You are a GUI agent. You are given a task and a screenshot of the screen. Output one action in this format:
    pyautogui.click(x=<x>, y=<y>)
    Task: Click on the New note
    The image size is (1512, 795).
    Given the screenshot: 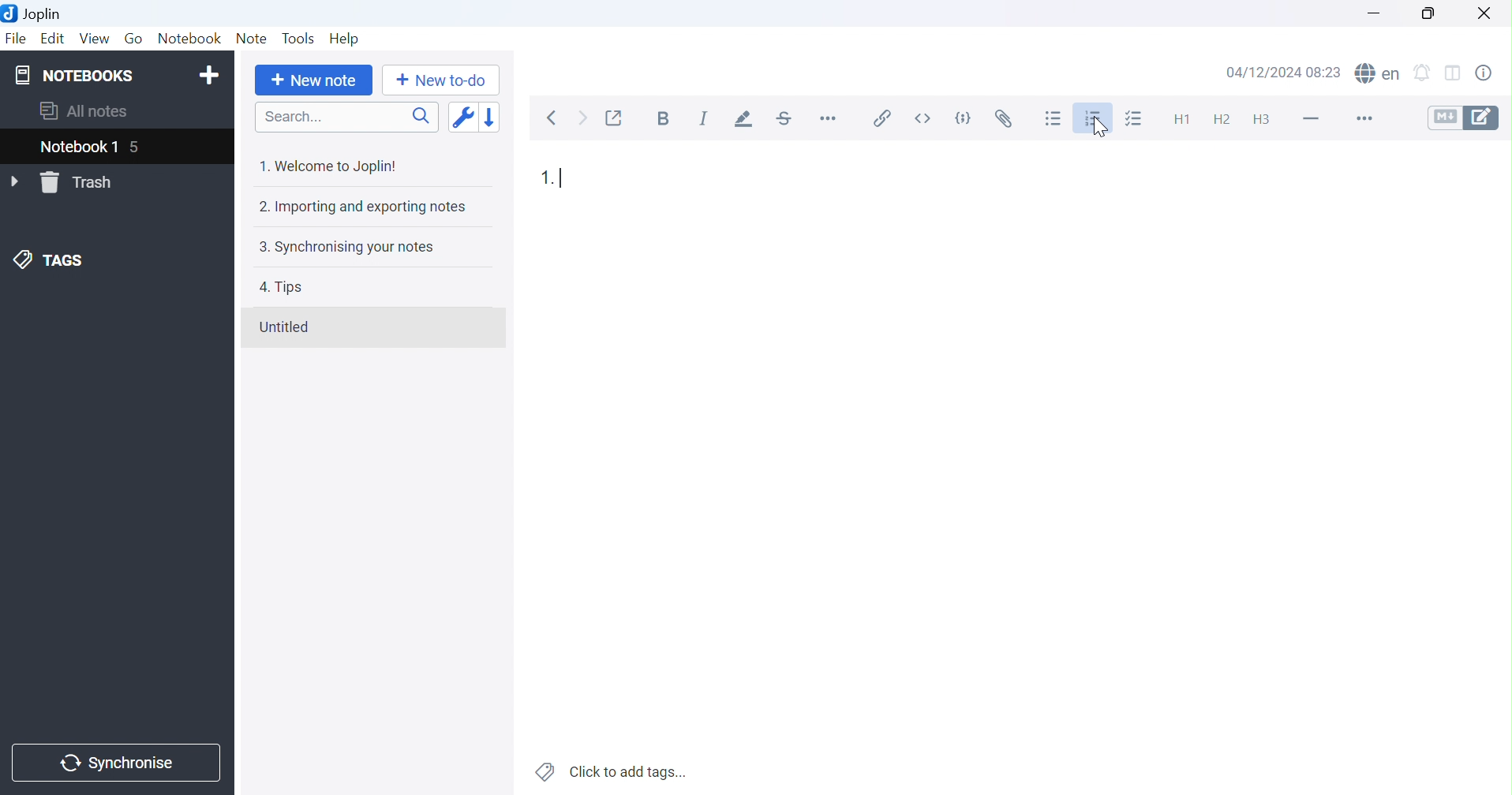 What is the action you would take?
    pyautogui.click(x=314, y=81)
    